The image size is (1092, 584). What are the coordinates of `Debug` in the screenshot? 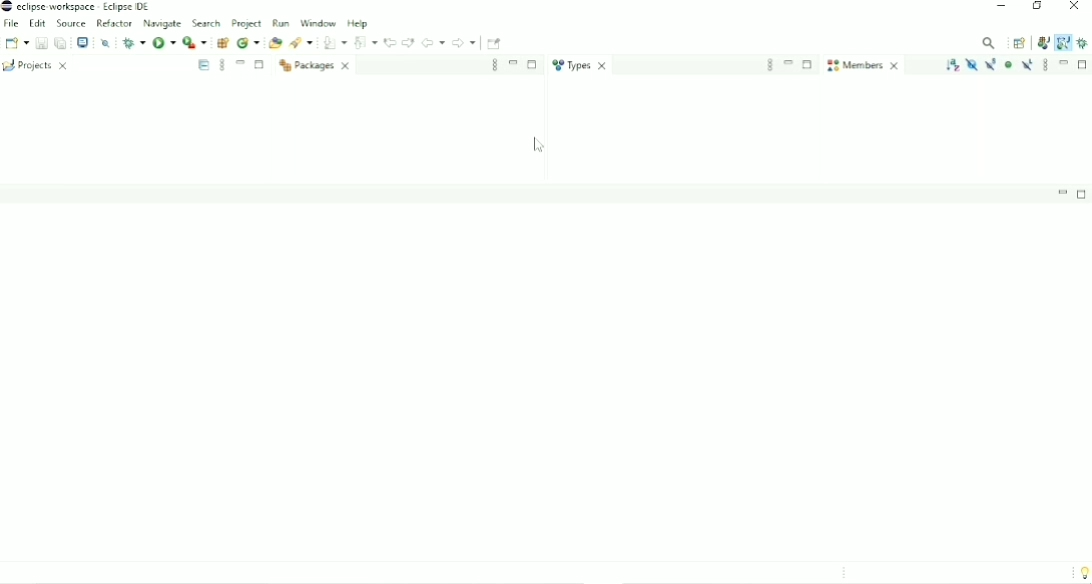 It's located at (1083, 42).